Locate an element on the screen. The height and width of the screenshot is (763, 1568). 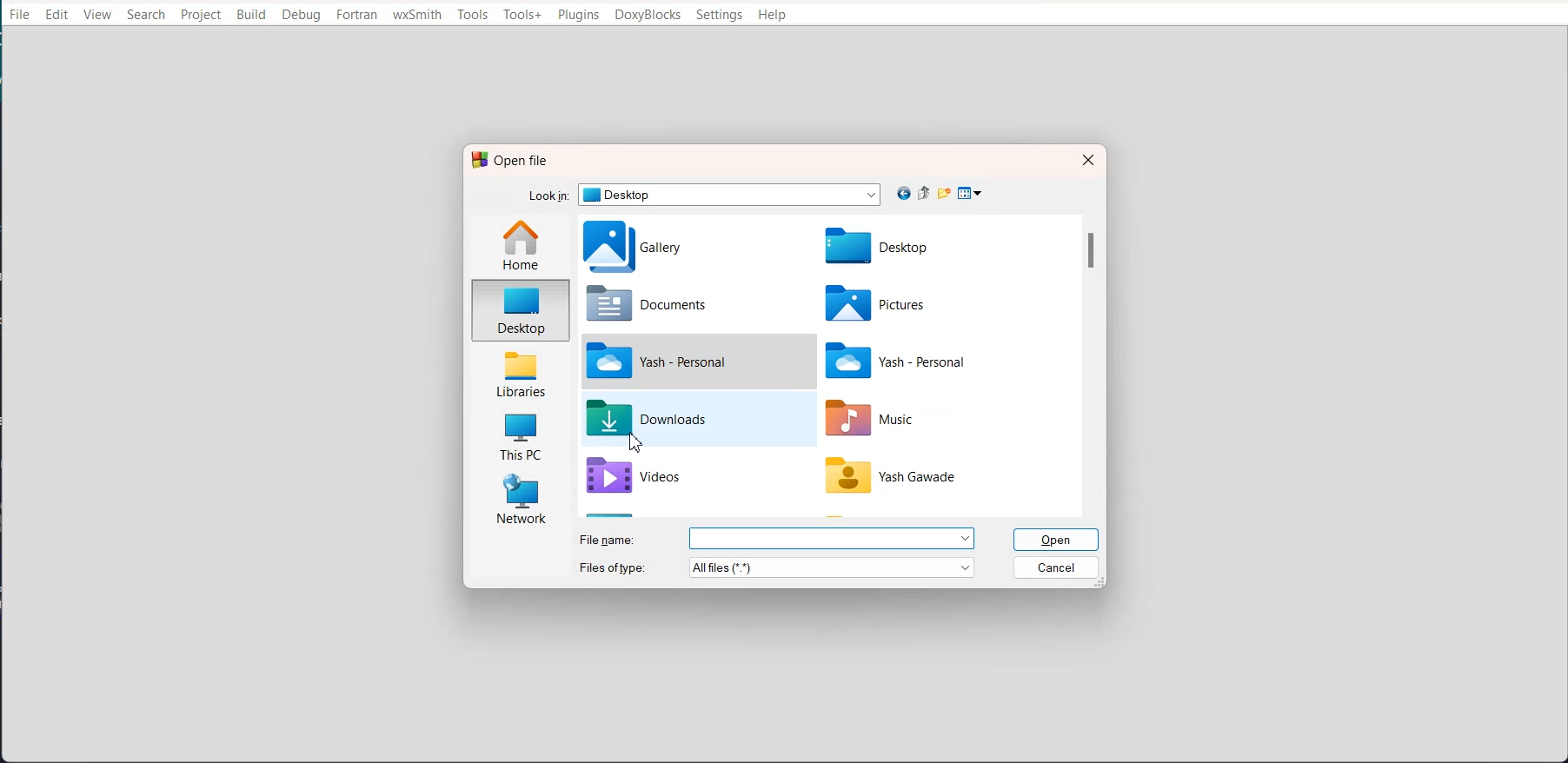
Build is located at coordinates (252, 15).